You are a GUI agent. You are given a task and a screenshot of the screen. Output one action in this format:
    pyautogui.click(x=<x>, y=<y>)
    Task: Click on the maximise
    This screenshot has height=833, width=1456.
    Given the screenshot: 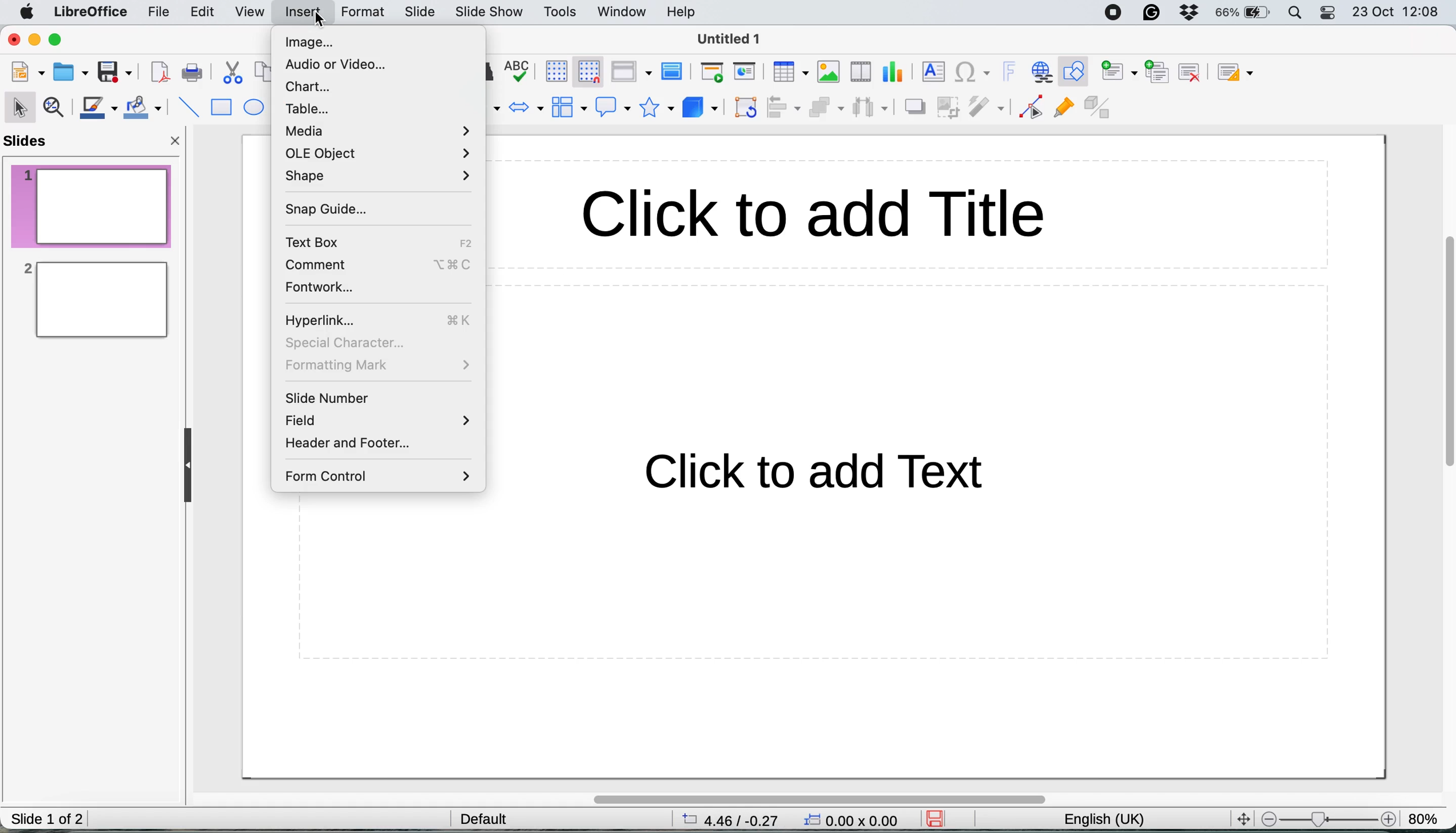 What is the action you would take?
    pyautogui.click(x=61, y=41)
    